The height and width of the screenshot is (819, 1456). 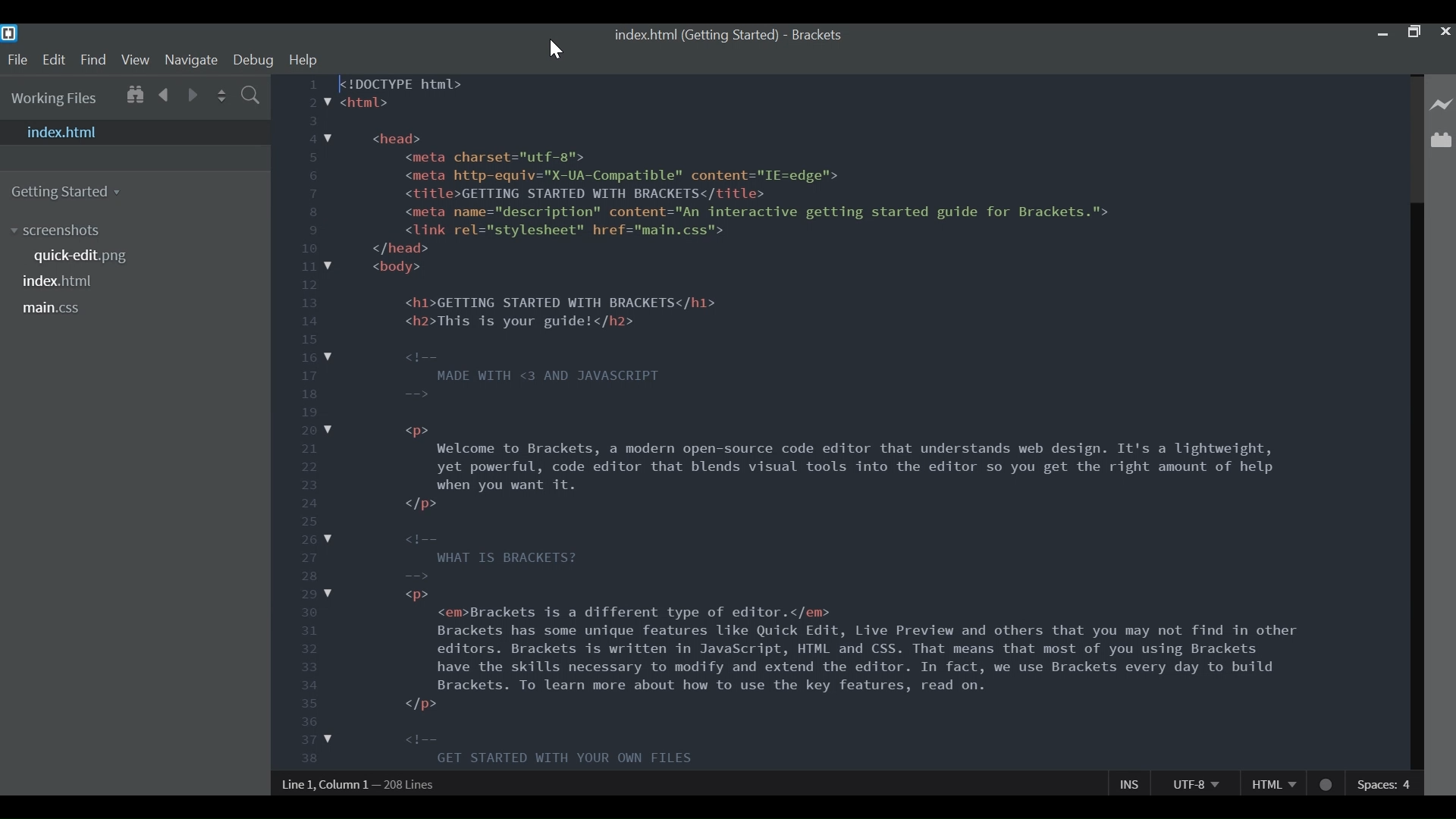 What do you see at coordinates (358, 784) in the screenshot?
I see `Line 1, Column 1 - 208 Lines` at bounding box center [358, 784].